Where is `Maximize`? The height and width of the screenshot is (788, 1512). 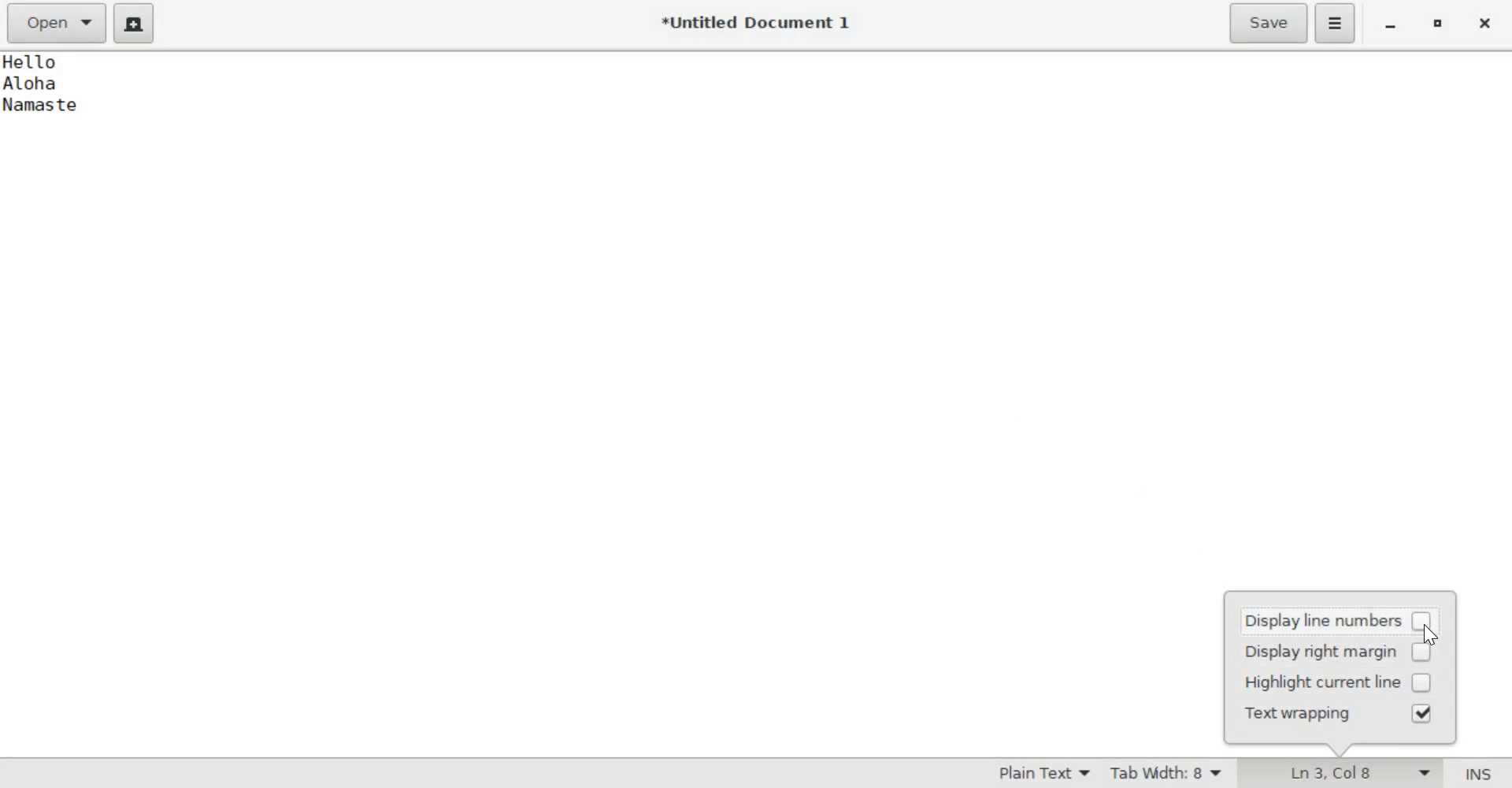 Maximize is located at coordinates (1439, 24).